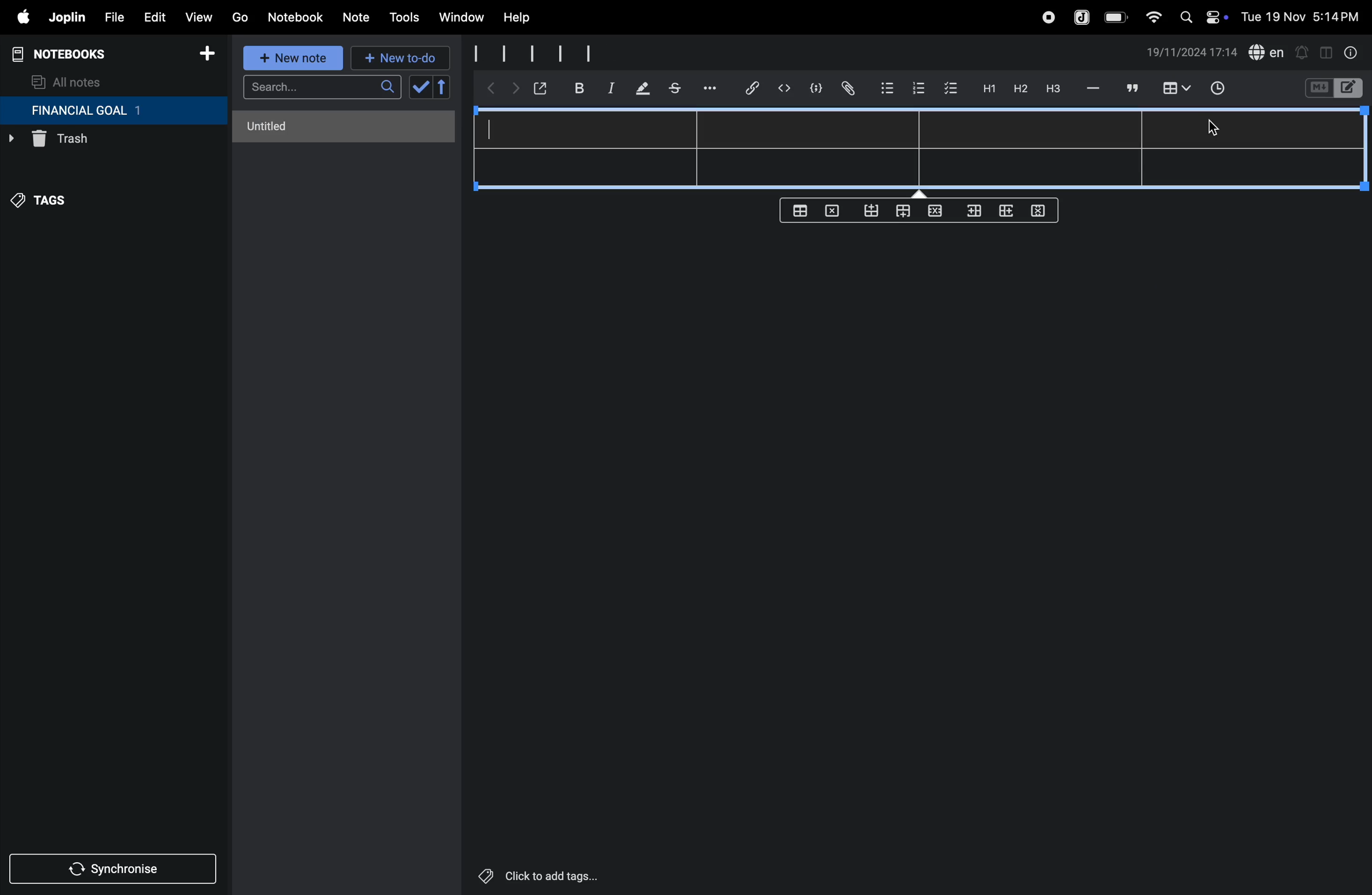 This screenshot has height=895, width=1372. I want to click on financial goal, so click(113, 111).